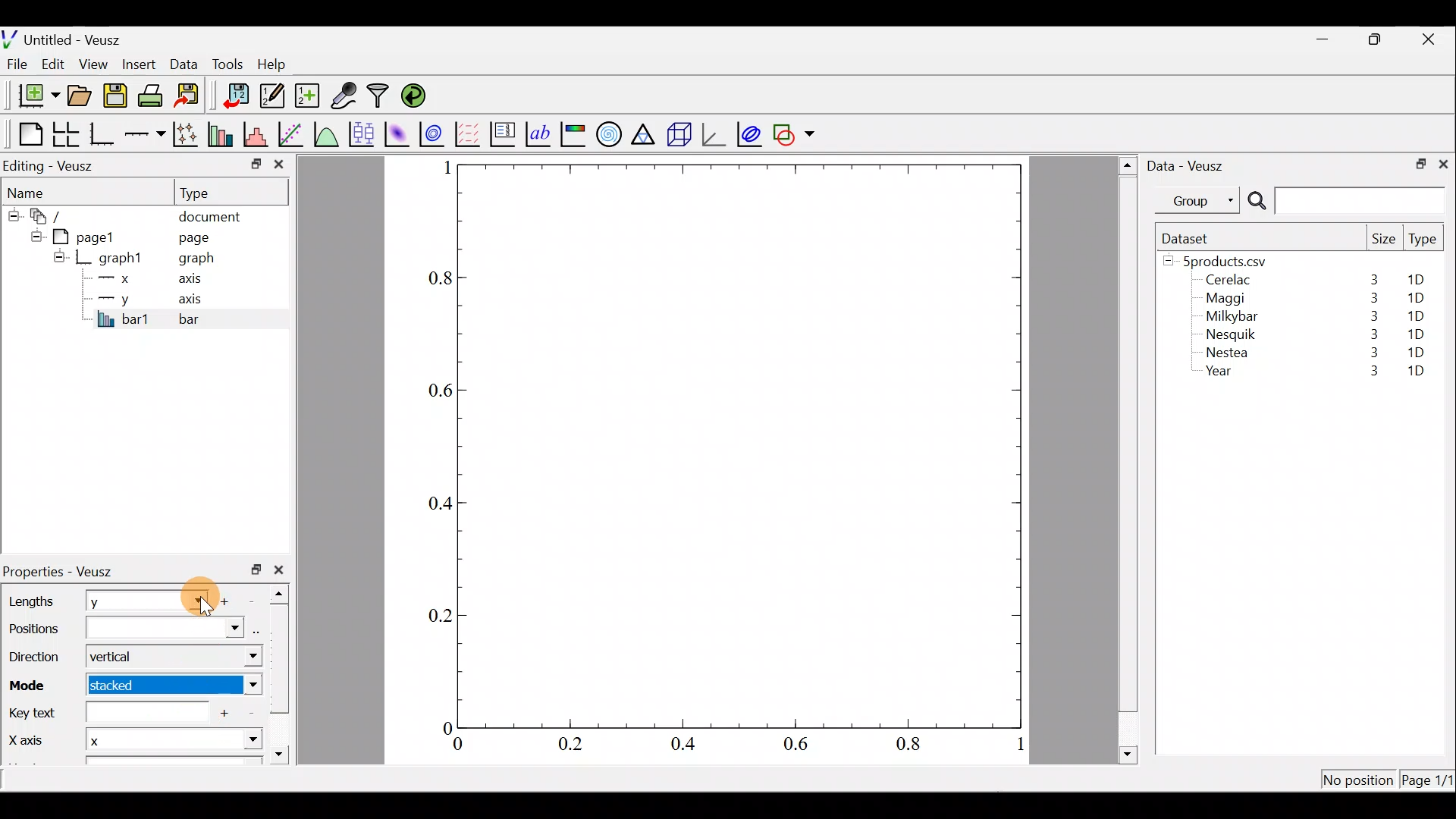  What do you see at coordinates (434, 506) in the screenshot?
I see `04` at bounding box center [434, 506].